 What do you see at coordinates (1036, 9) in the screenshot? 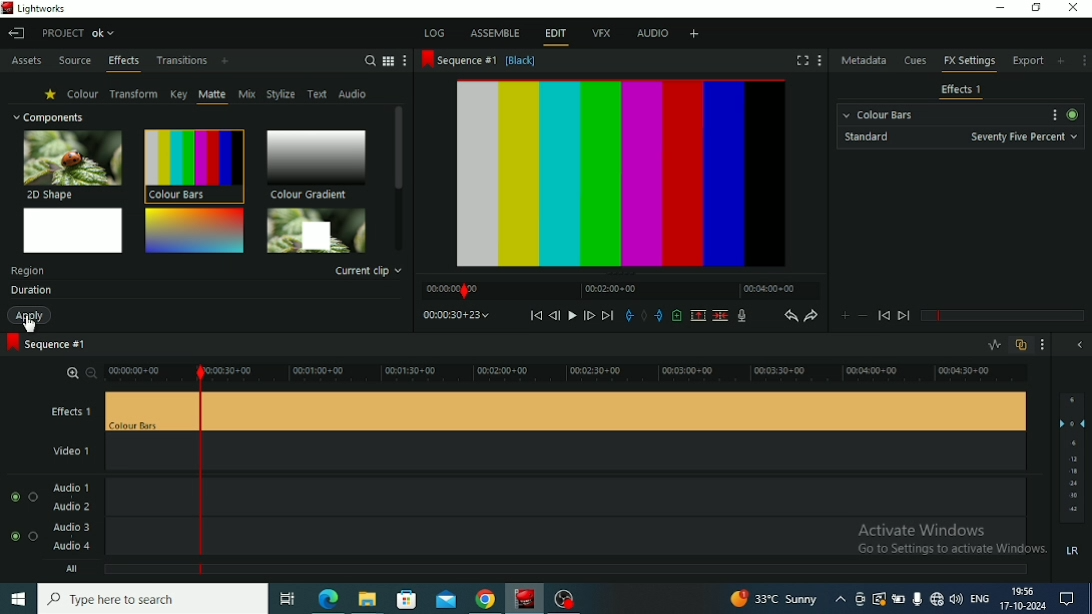
I see `Restore` at bounding box center [1036, 9].